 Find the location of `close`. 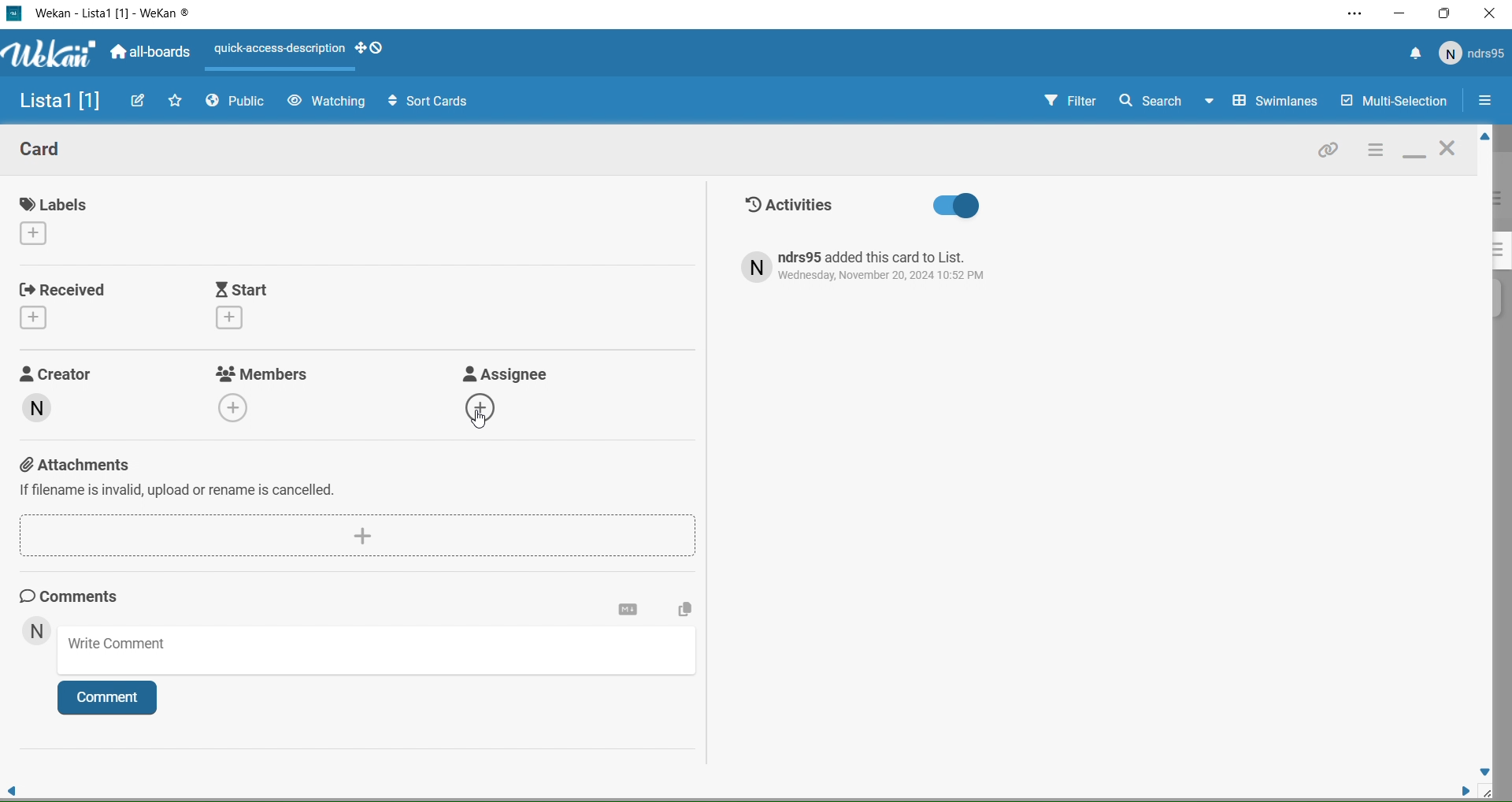

close is located at coordinates (1451, 150).